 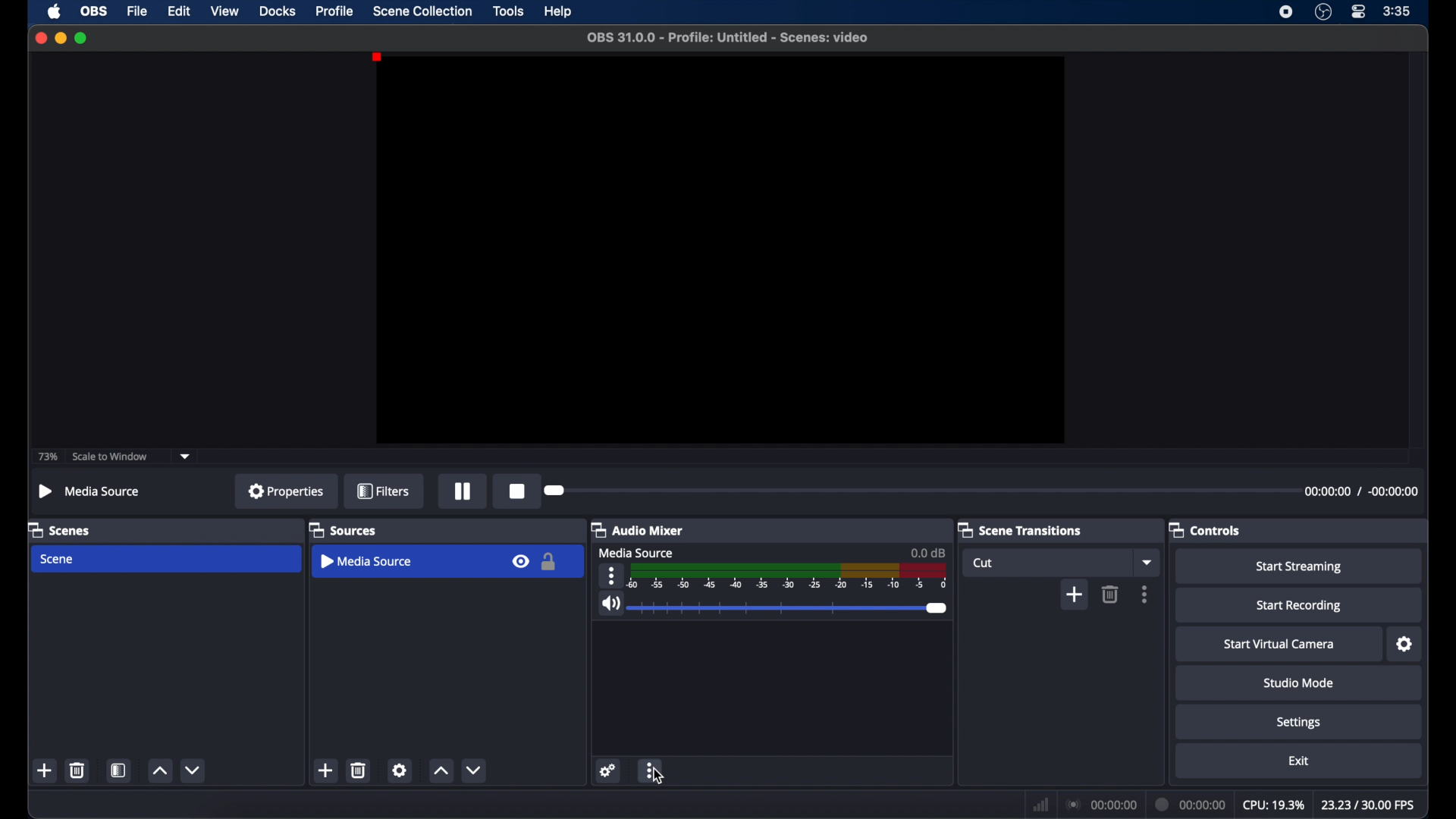 What do you see at coordinates (560, 11) in the screenshot?
I see `help` at bounding box center [560, 11].